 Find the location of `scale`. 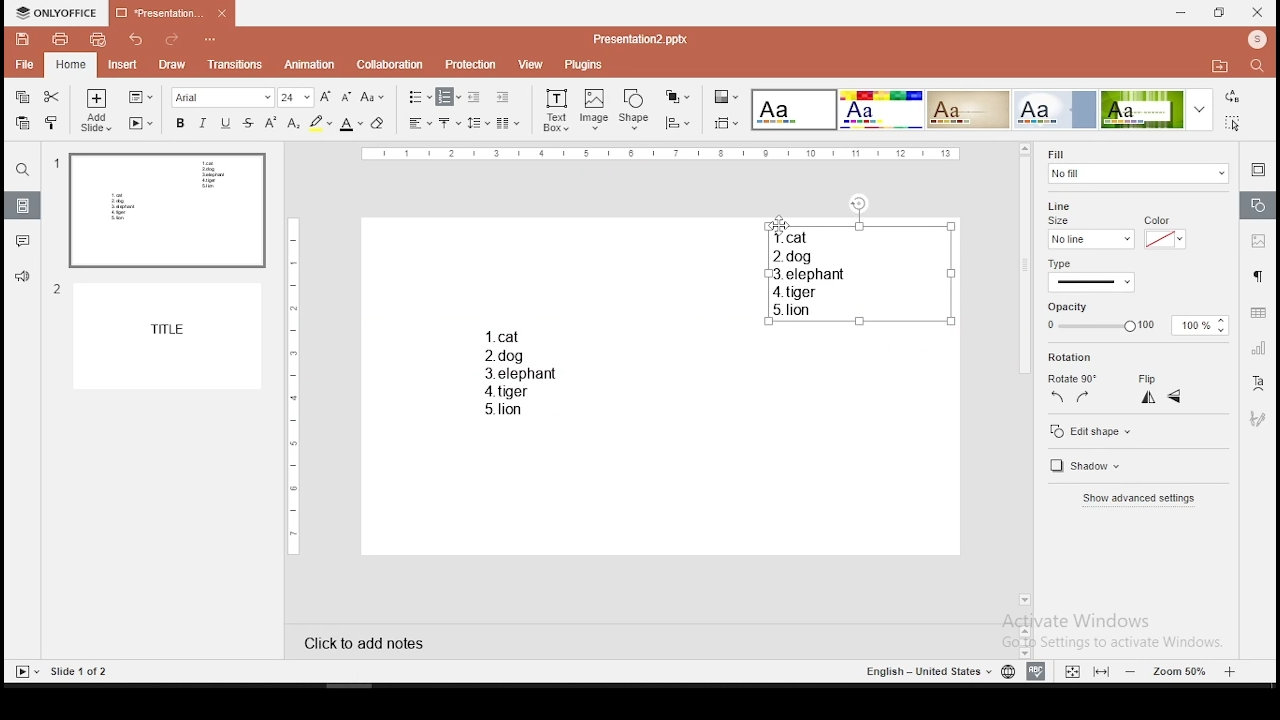

scale is located at coordinates (291, 384).